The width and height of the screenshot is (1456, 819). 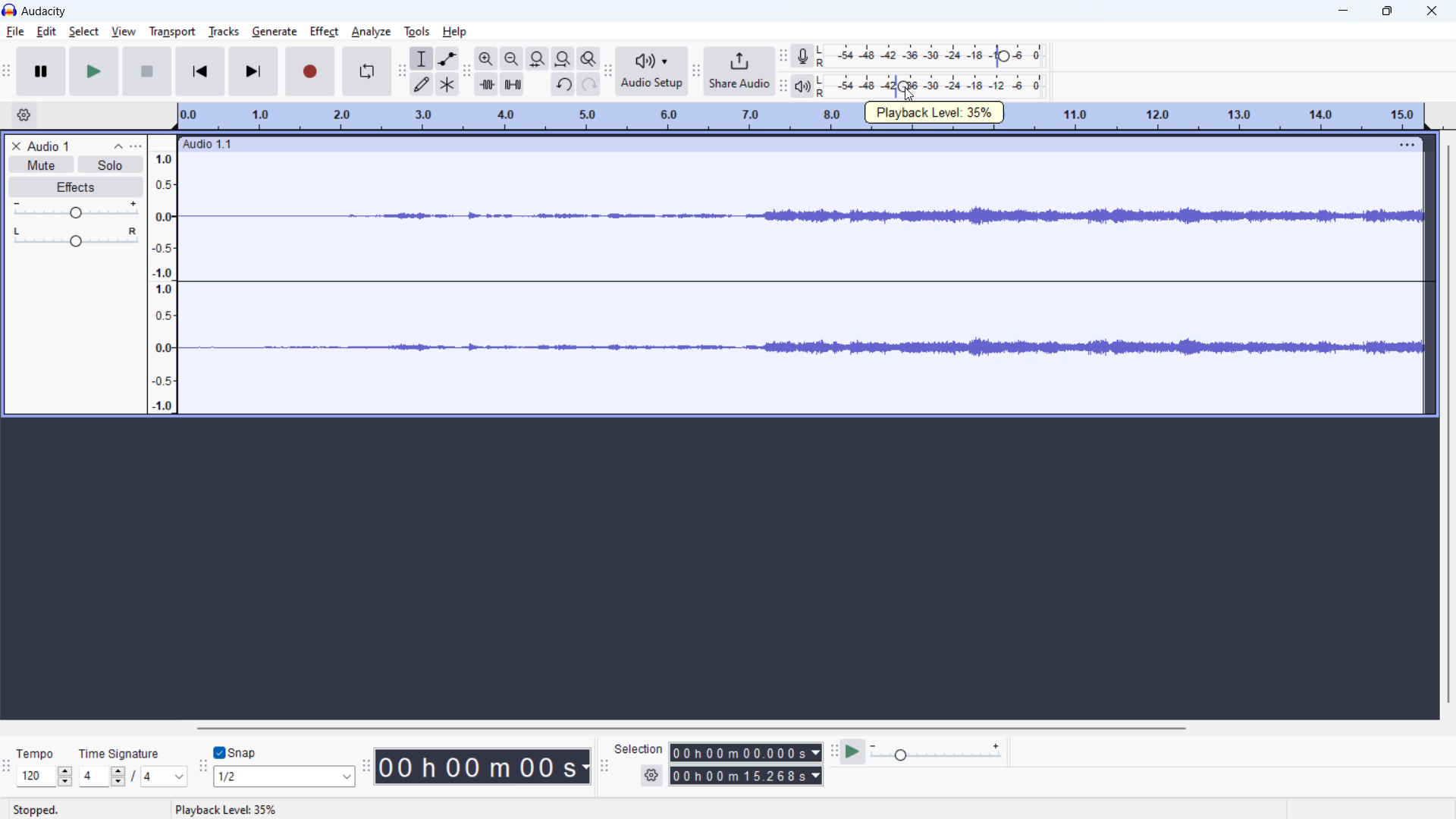 I want to click on toggle zoom, so click(x=588, y=58).